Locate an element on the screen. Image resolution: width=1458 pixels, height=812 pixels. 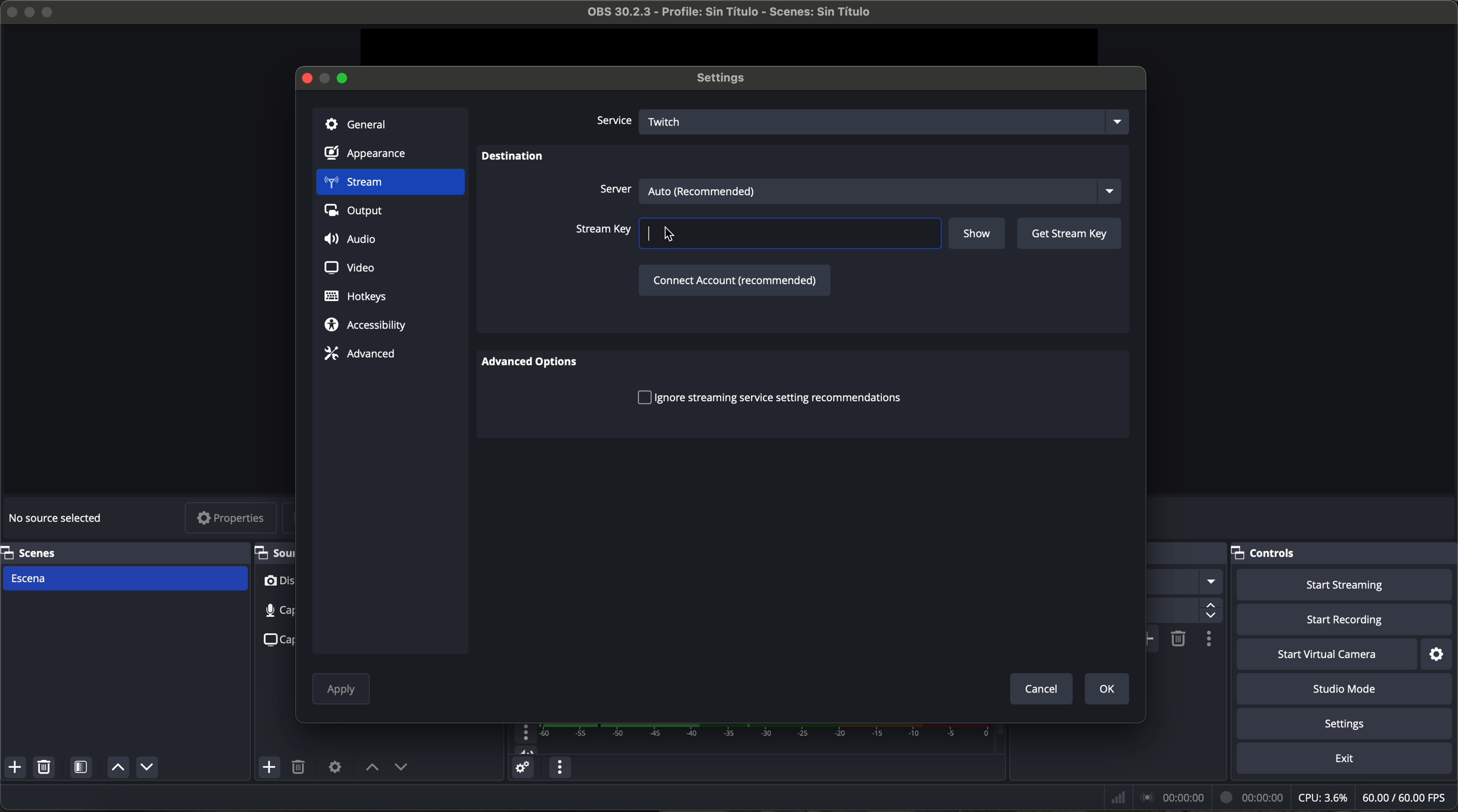
destination is located at coordinates (513, 158).